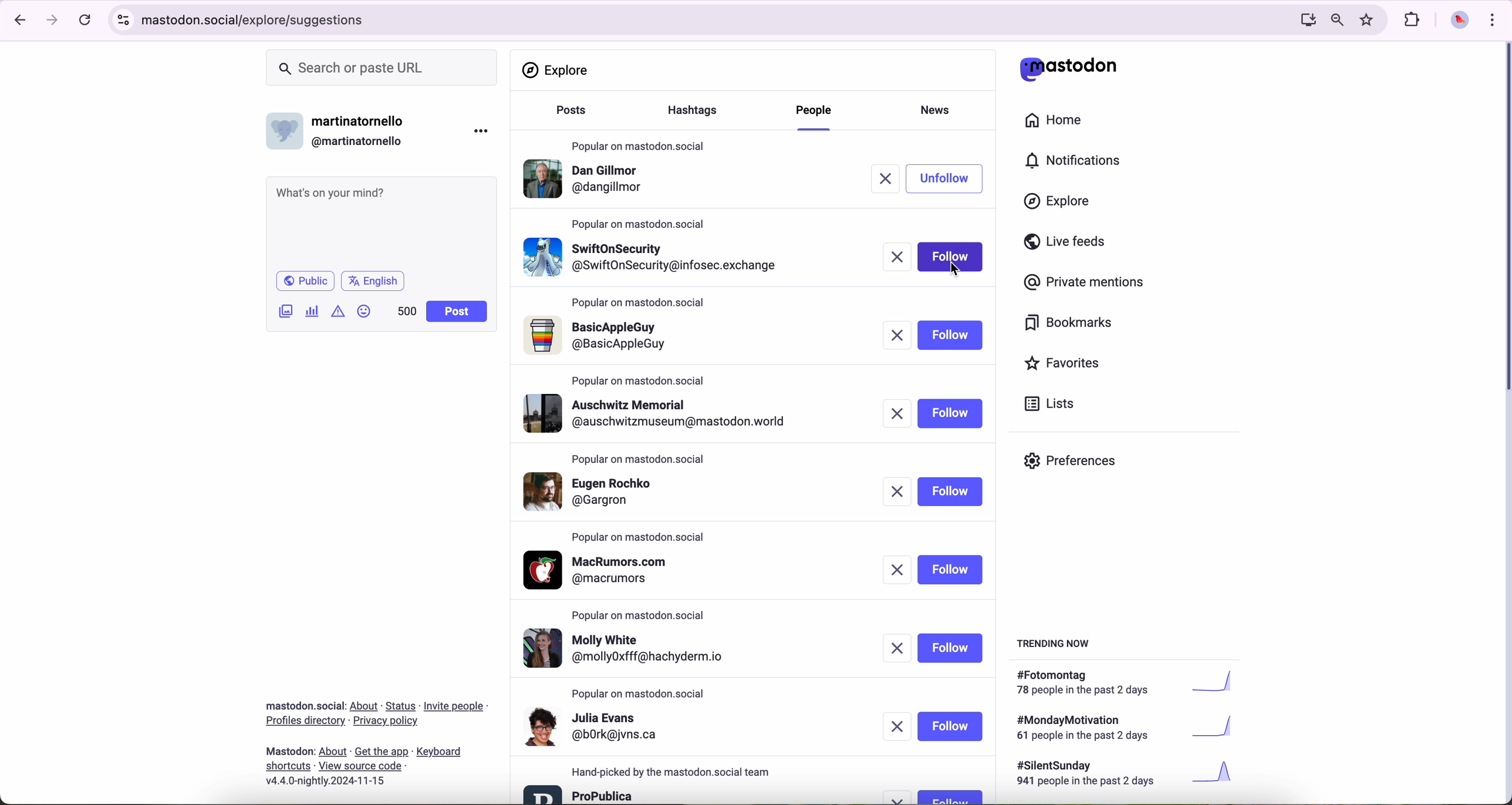  I want to click on notifications, so click(1078, 161).